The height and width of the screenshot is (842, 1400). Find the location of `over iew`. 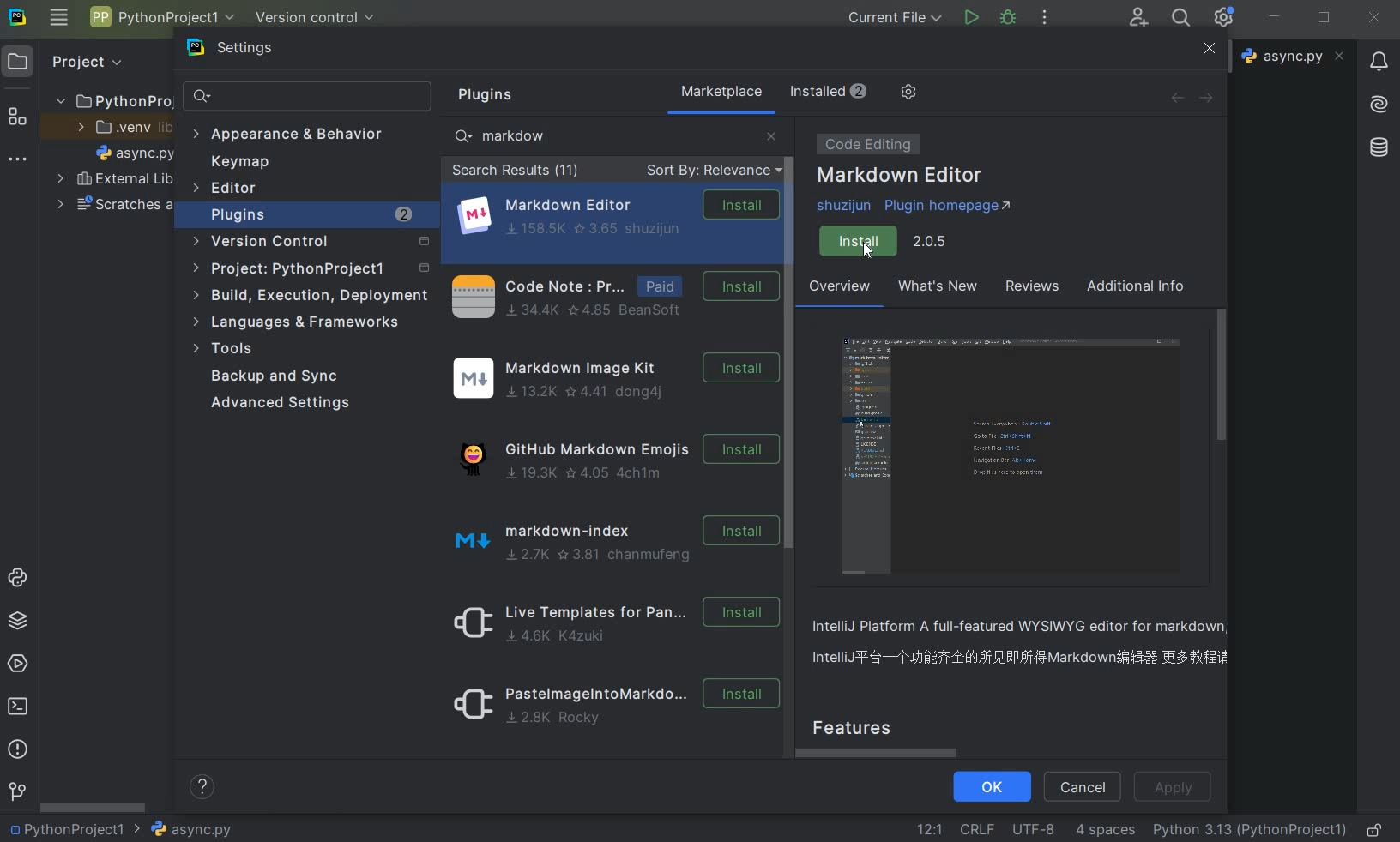

over iew is located at coordinates (841, 289).